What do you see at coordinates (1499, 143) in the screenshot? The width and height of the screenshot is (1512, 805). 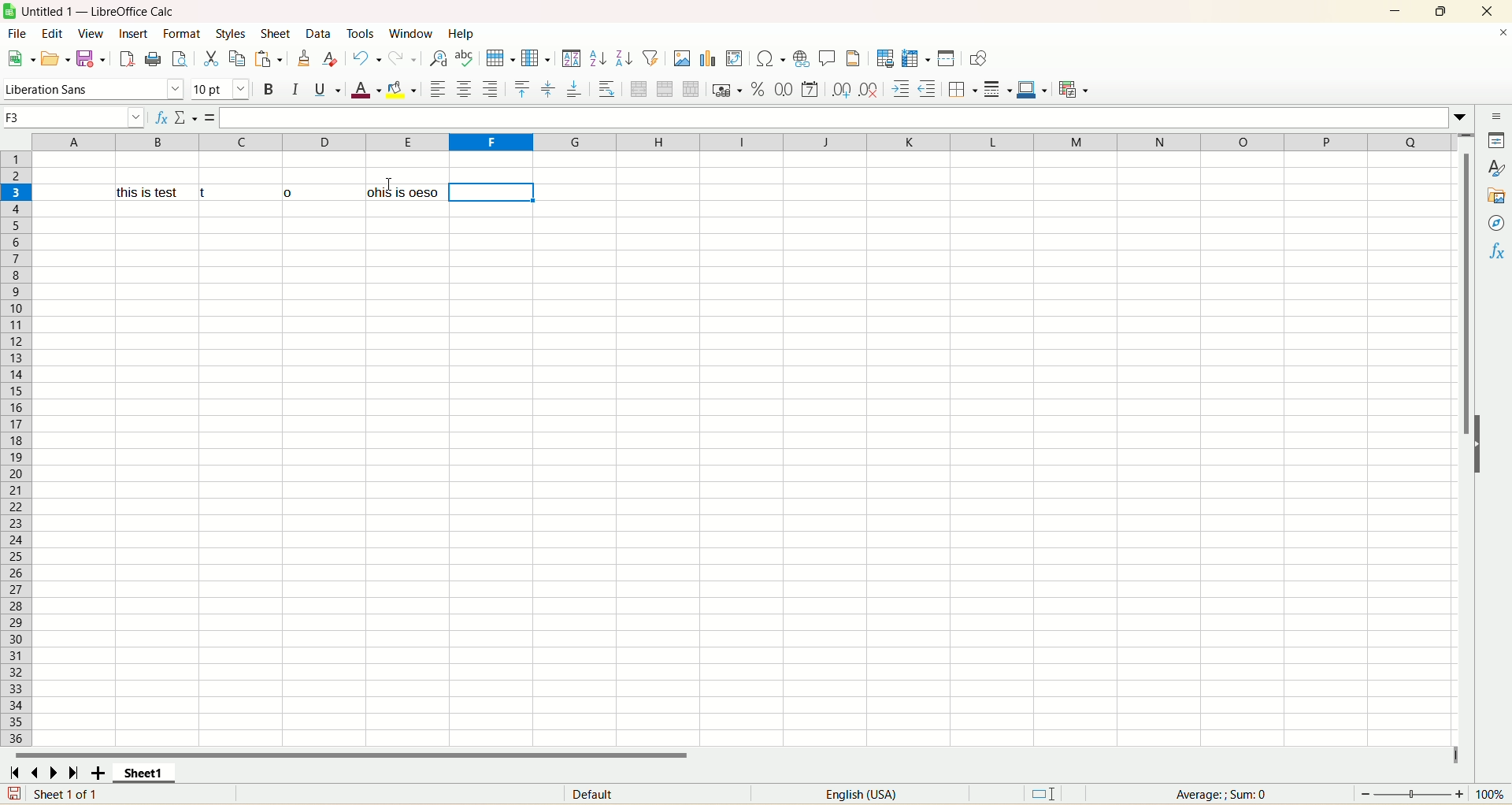 I see `properties` at bounding box center [1499, 143].